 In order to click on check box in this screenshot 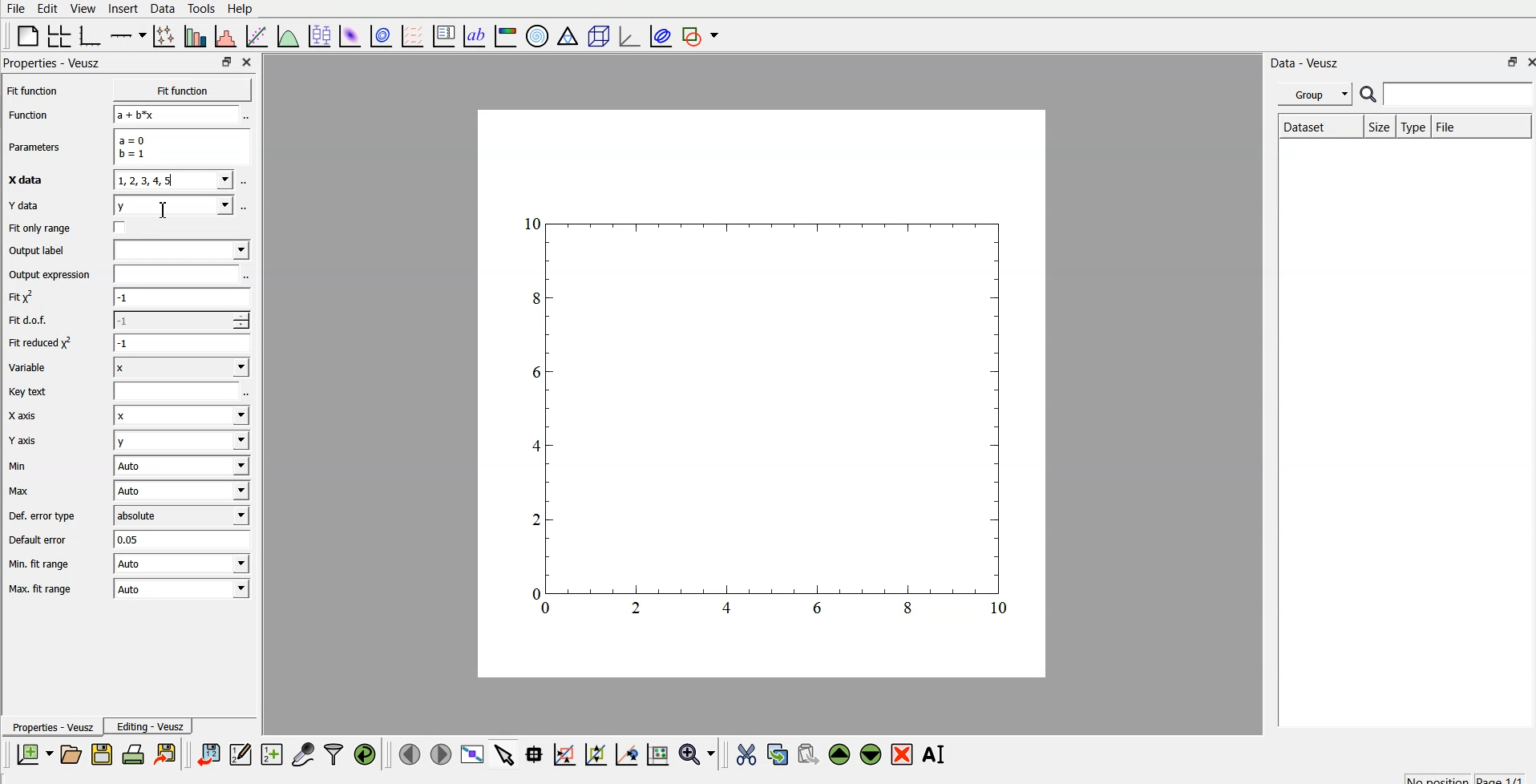, I will do `click(122, 227)`.